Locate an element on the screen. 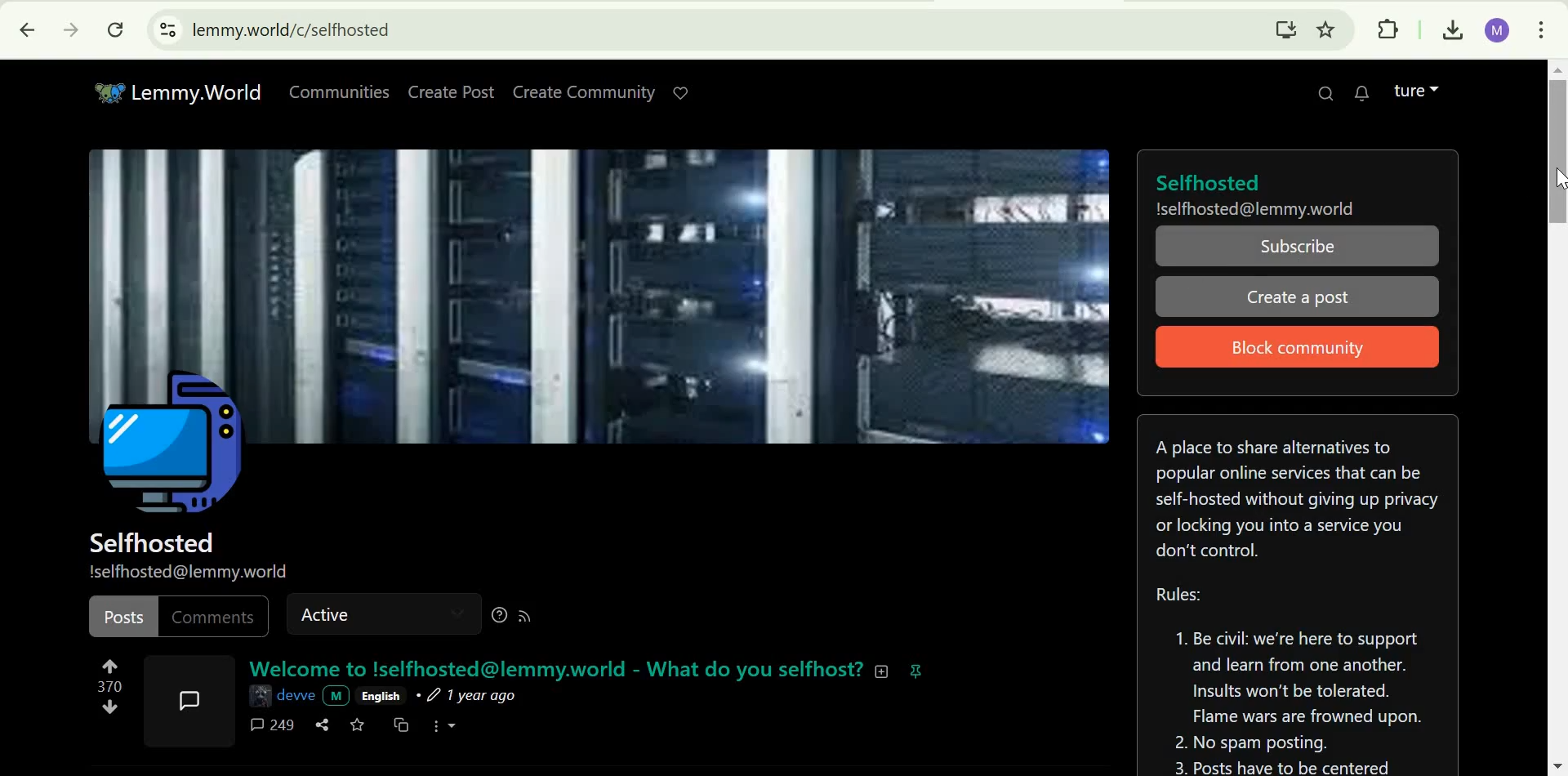  More is located at coordinates (445, 725).